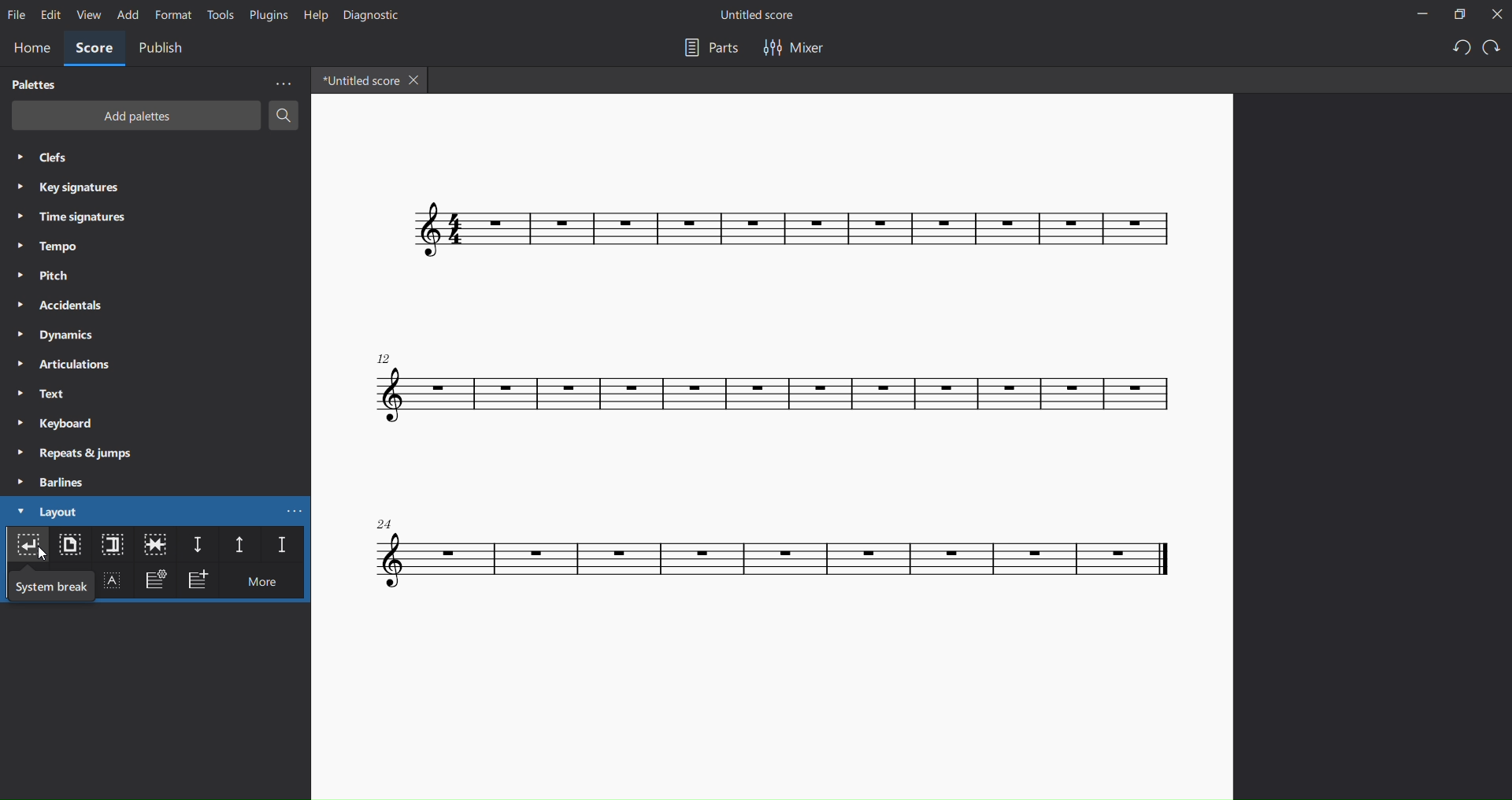 The image size is (1512, 800). I want to click on more, so click(282, 83).